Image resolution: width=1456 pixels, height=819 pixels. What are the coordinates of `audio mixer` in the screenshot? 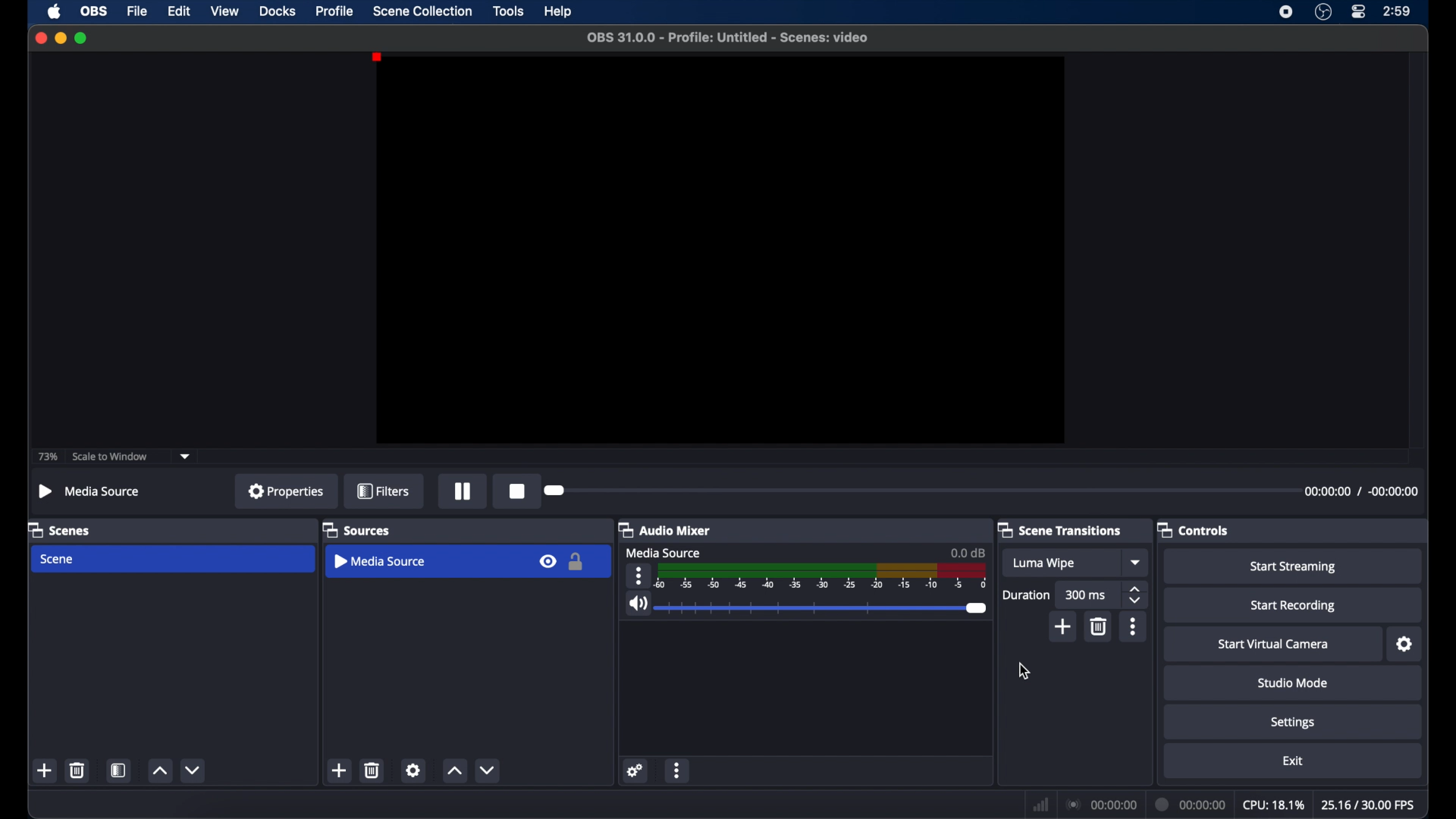 It's located at (665, 529).